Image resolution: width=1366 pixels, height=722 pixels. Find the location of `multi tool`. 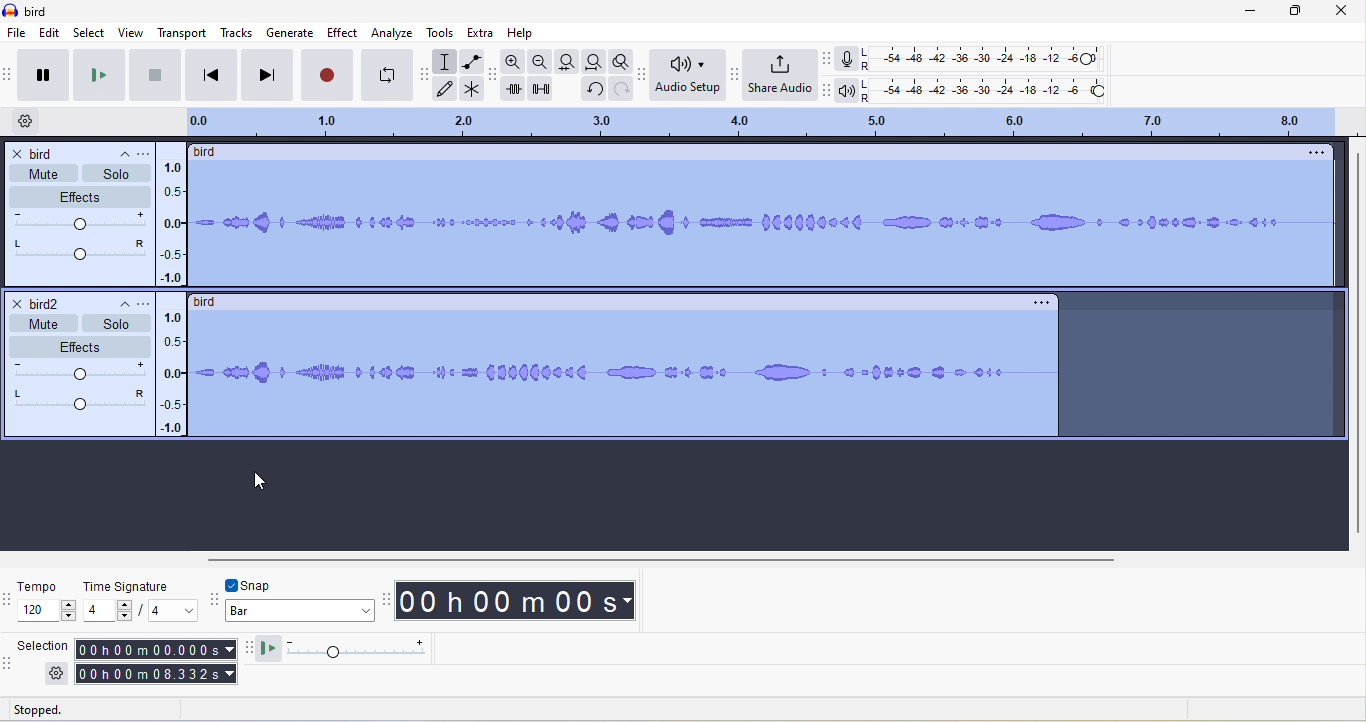

multi tool is located at coordinates (470, 91).